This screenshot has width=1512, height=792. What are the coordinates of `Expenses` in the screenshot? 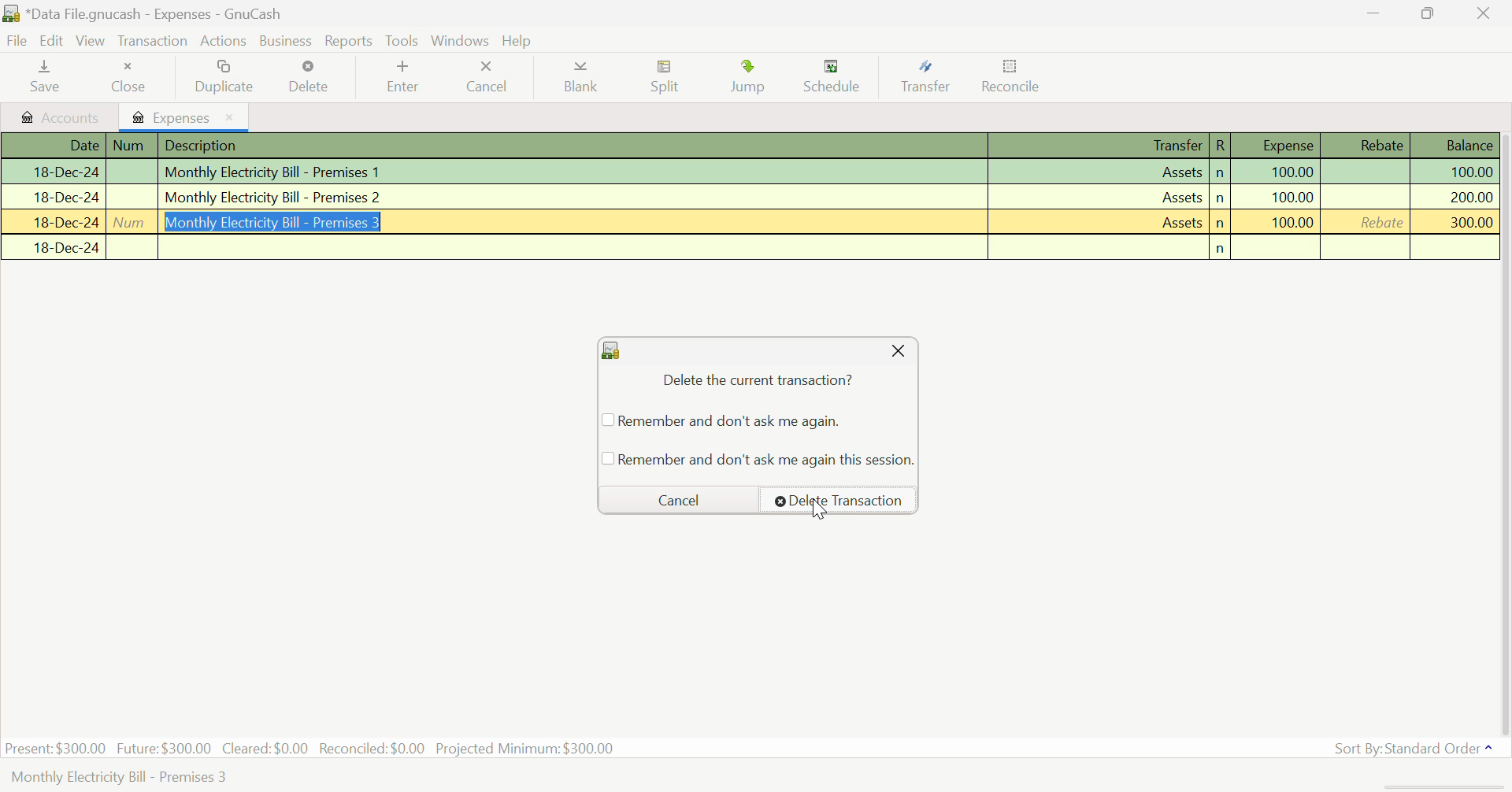 It's located at (185, 117).